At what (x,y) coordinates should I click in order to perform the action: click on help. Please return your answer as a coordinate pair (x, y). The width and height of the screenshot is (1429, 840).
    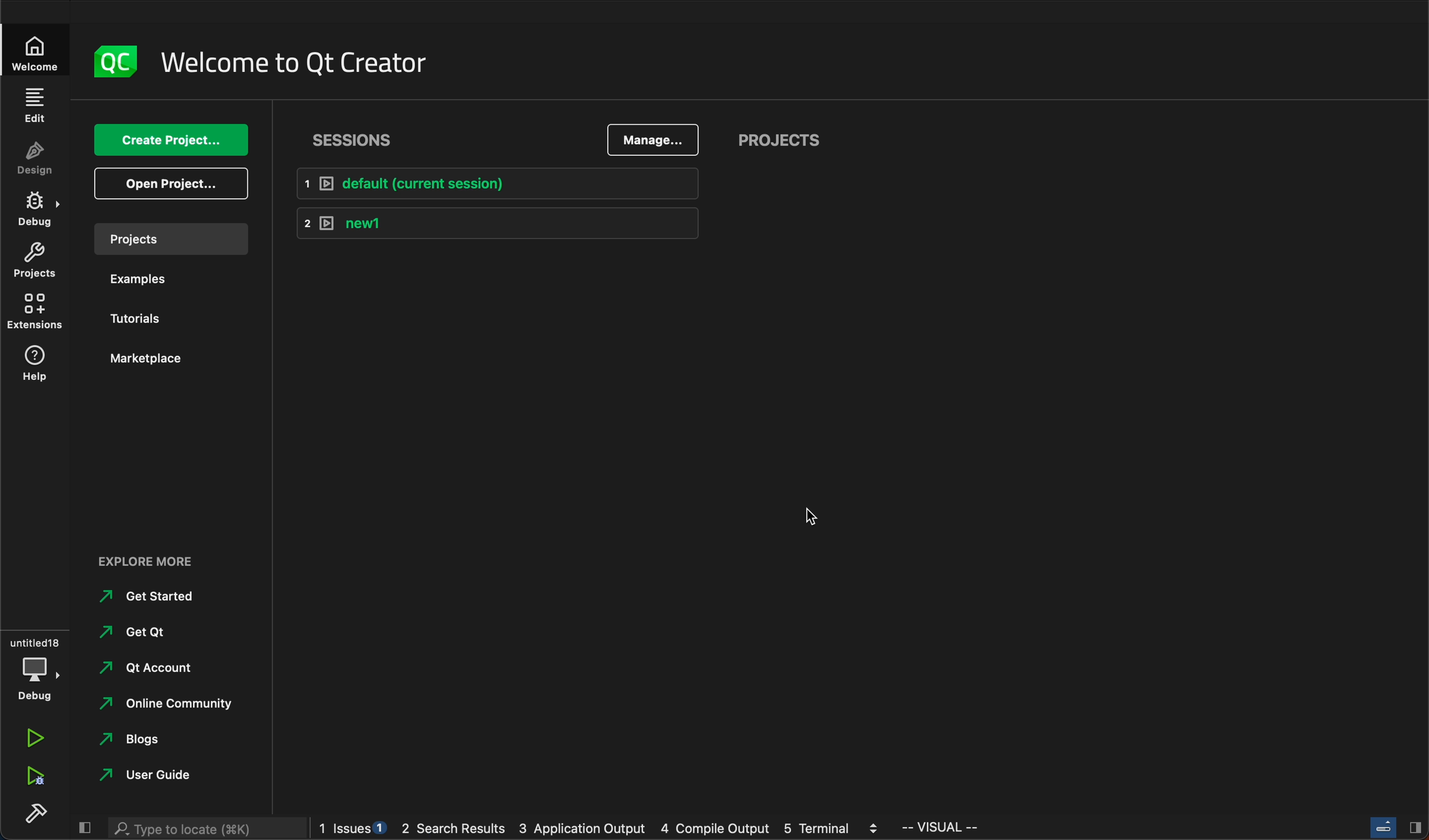
    Looking at the image, I should click on (35, 365).